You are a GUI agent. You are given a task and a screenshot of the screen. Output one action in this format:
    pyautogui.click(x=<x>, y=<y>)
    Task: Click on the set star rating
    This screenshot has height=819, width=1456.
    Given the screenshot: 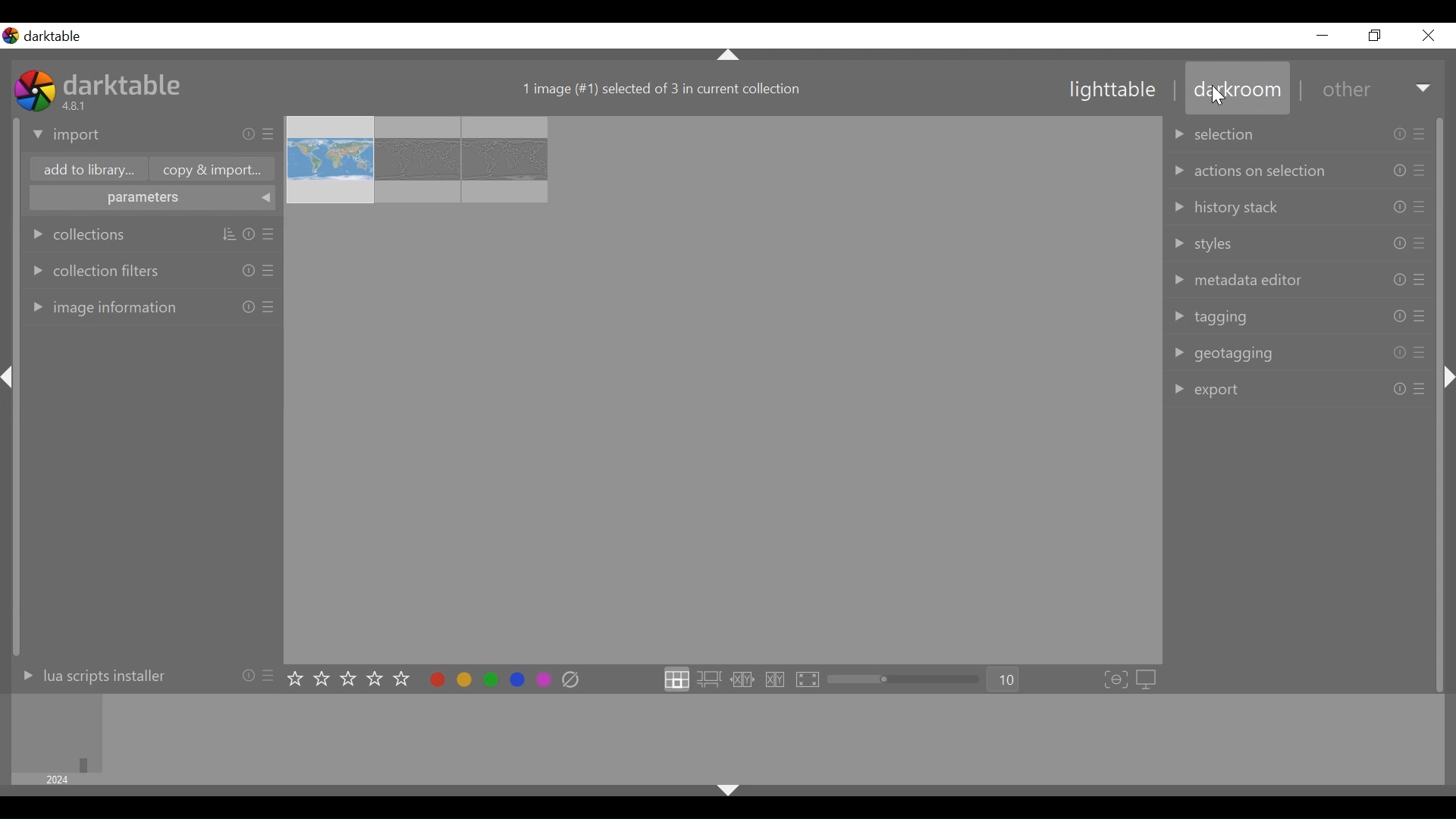 What is the action you would take?
    pyautogui.click(x=351, y=679)
    